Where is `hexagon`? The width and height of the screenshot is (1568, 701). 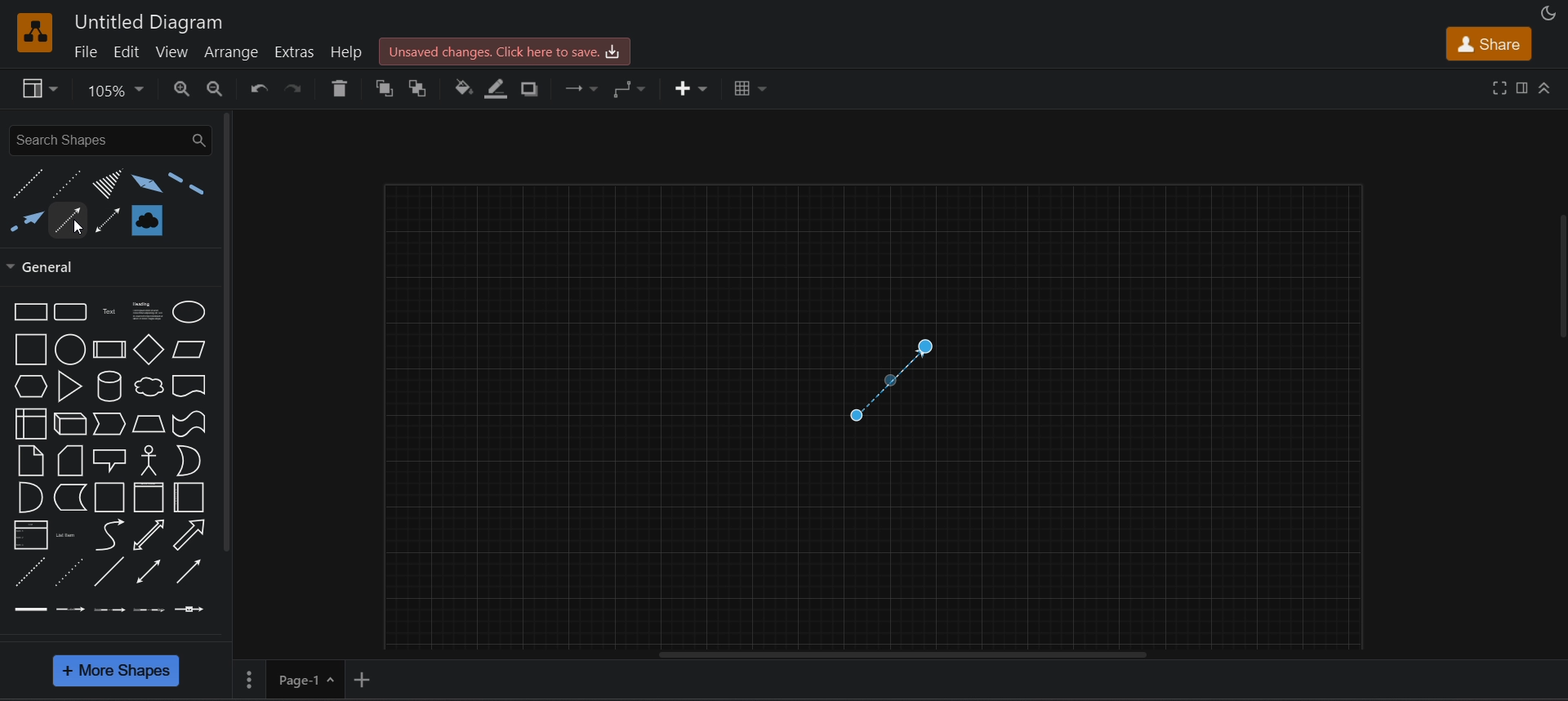 hexagon is located at coordinates (30, 386).